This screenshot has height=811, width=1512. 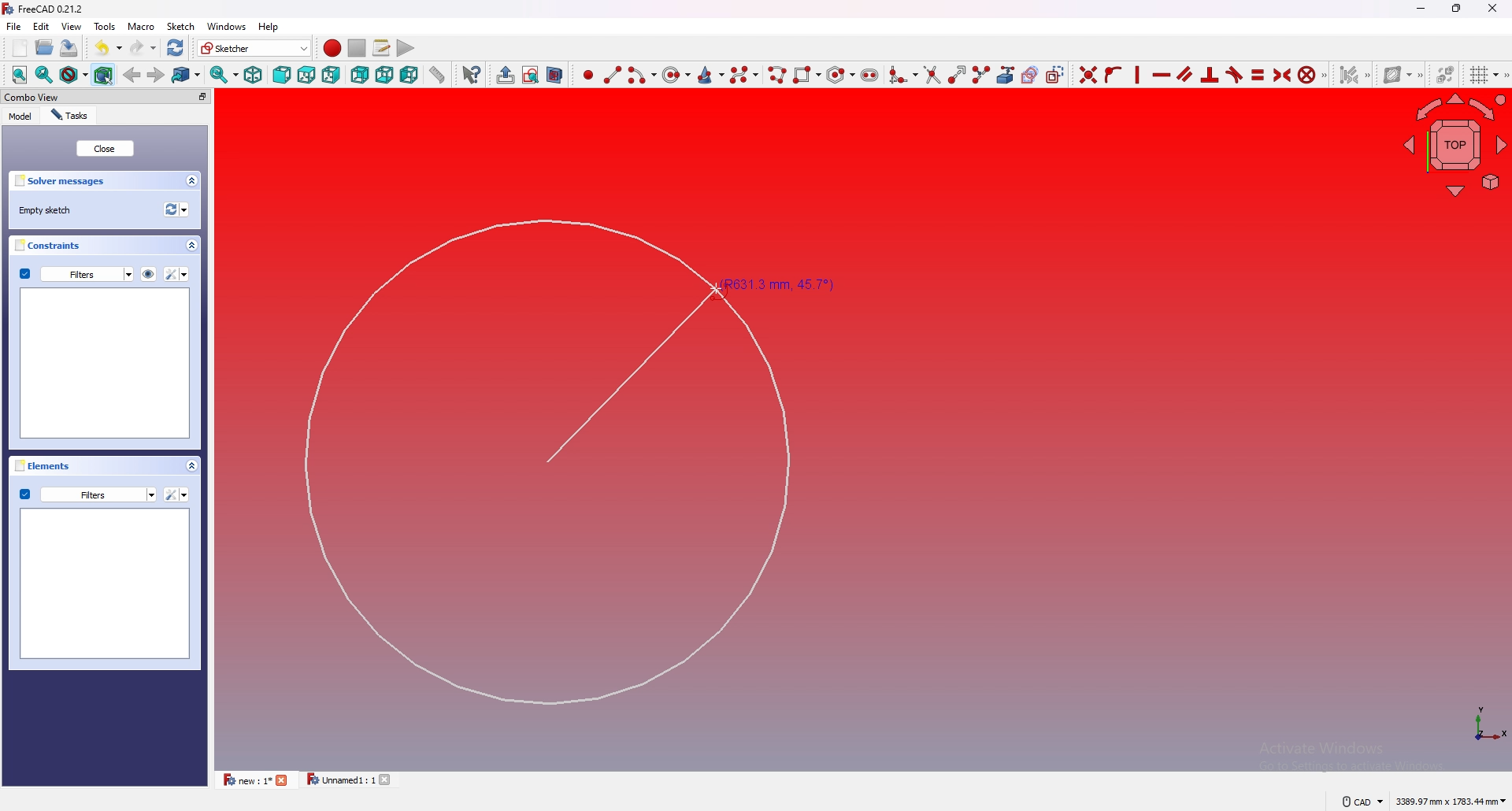 I want to click on FreeCAD 0.21.2, so click(x=45, y=9).